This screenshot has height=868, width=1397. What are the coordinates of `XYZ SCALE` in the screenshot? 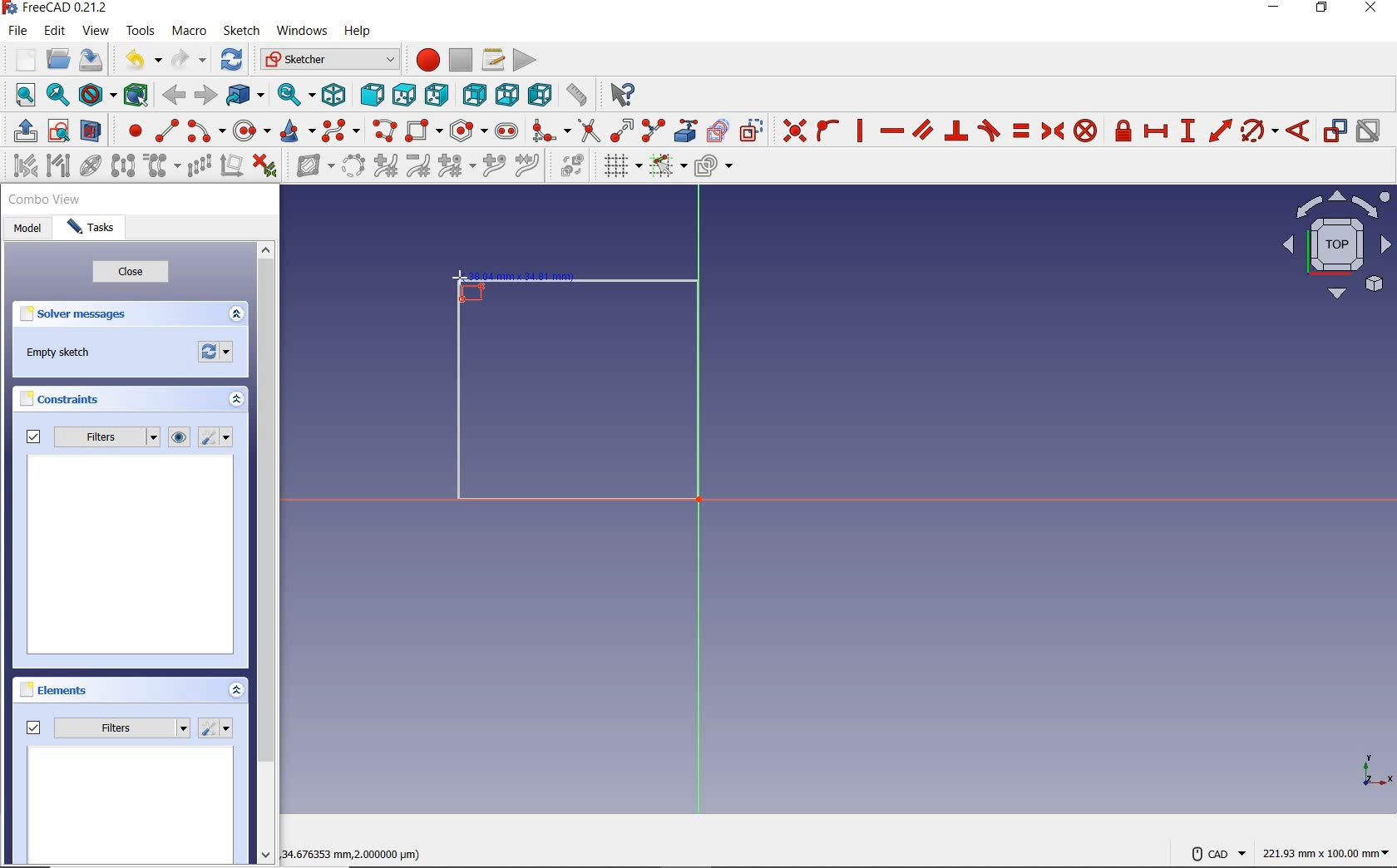 It's located at (1376, 771).